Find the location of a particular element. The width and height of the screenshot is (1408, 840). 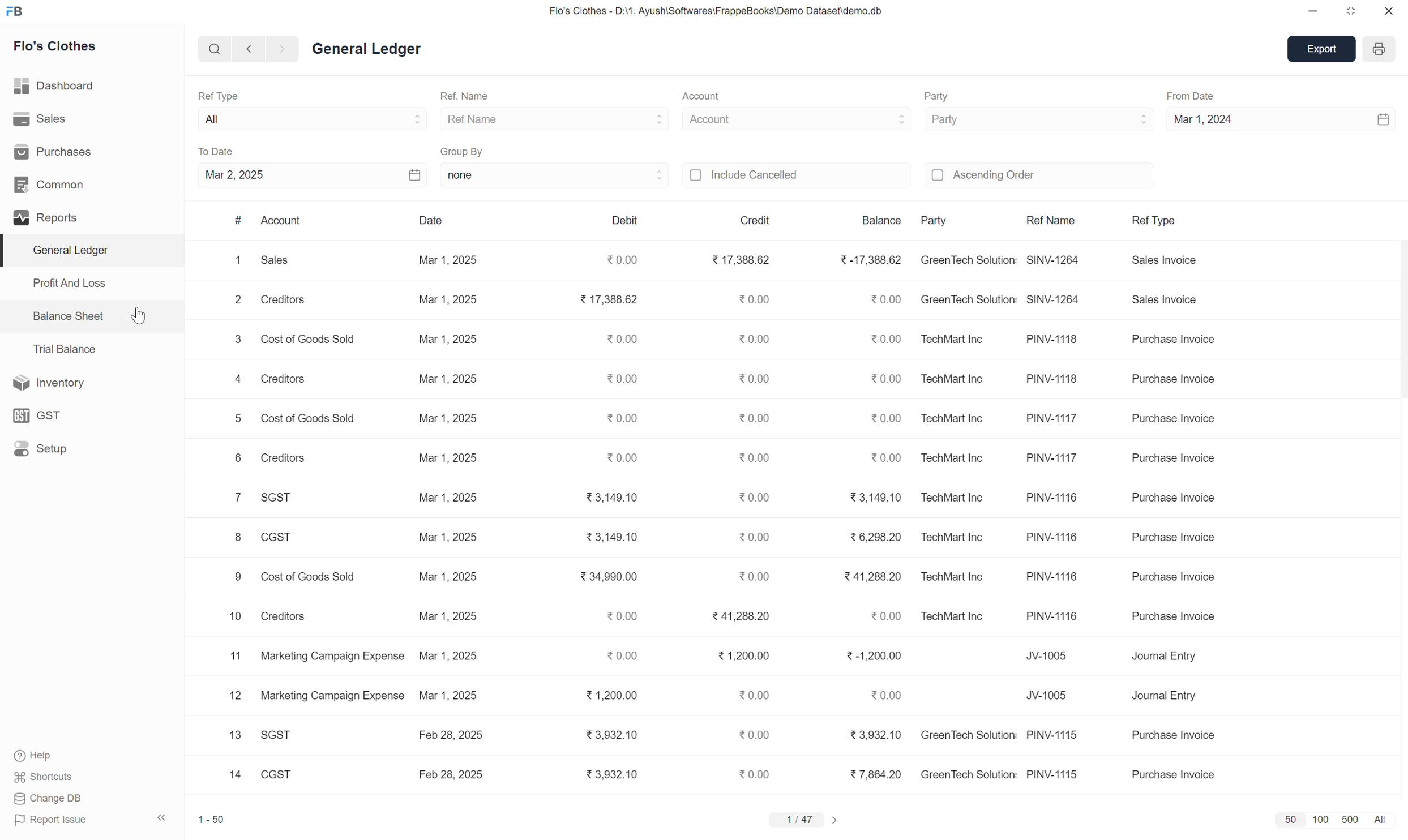

 Help is located at coordinates (45, 755).